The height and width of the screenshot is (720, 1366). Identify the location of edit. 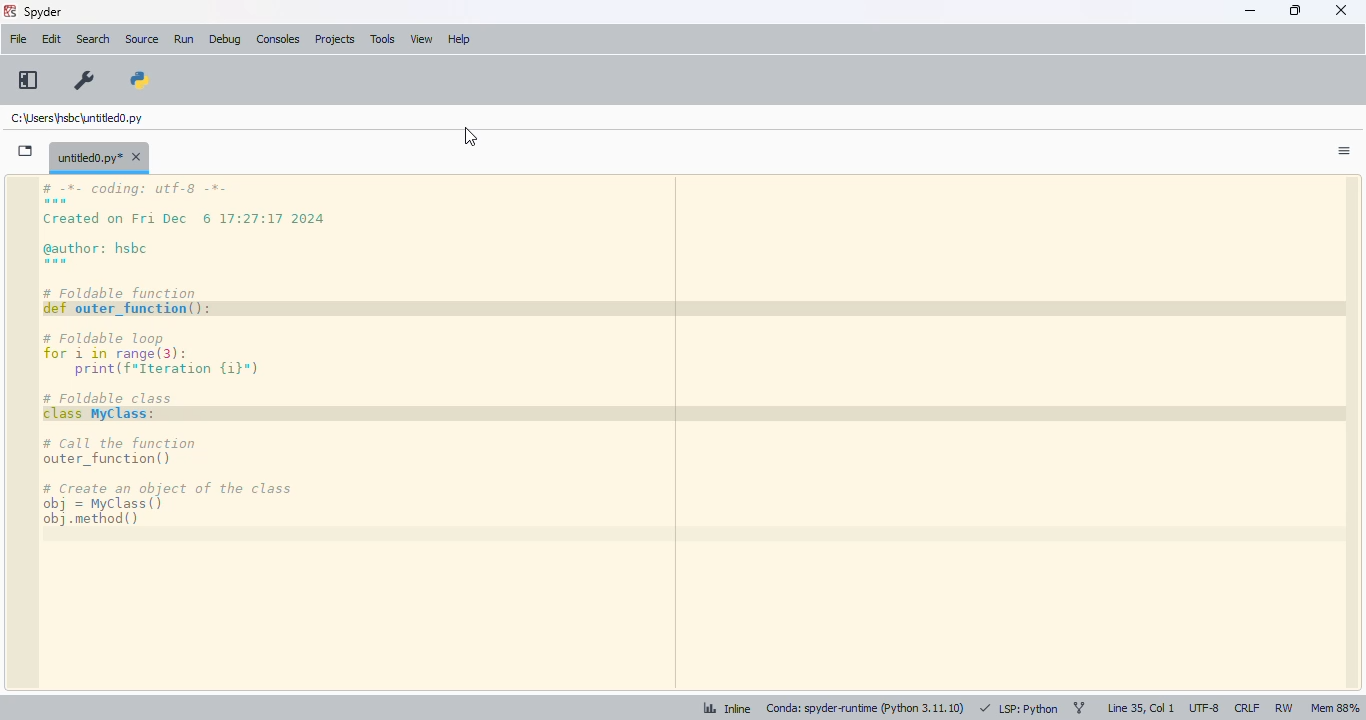
(52, 38).